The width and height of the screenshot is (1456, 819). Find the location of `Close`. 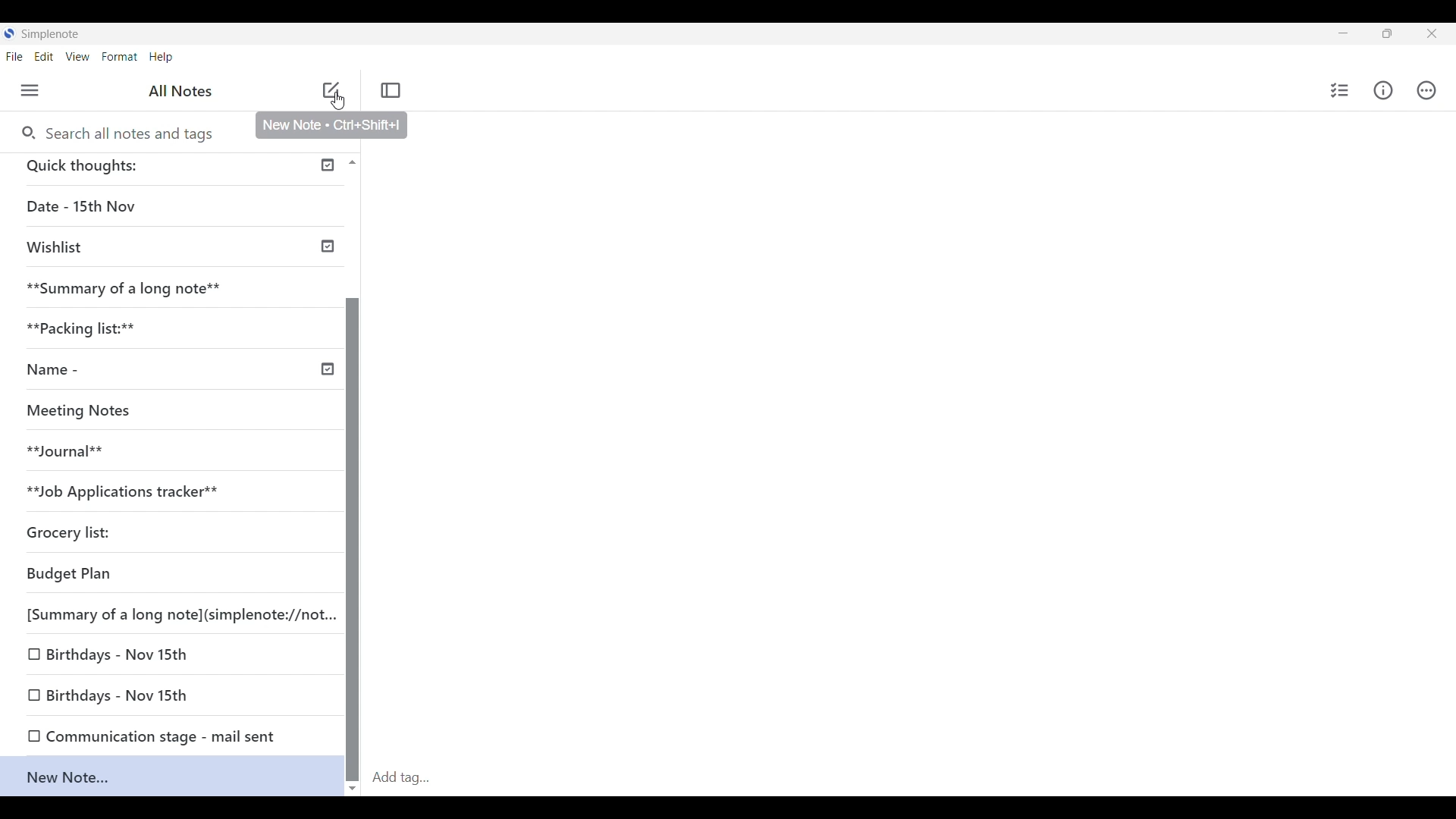

Close is located at coordinates (1432, 34).